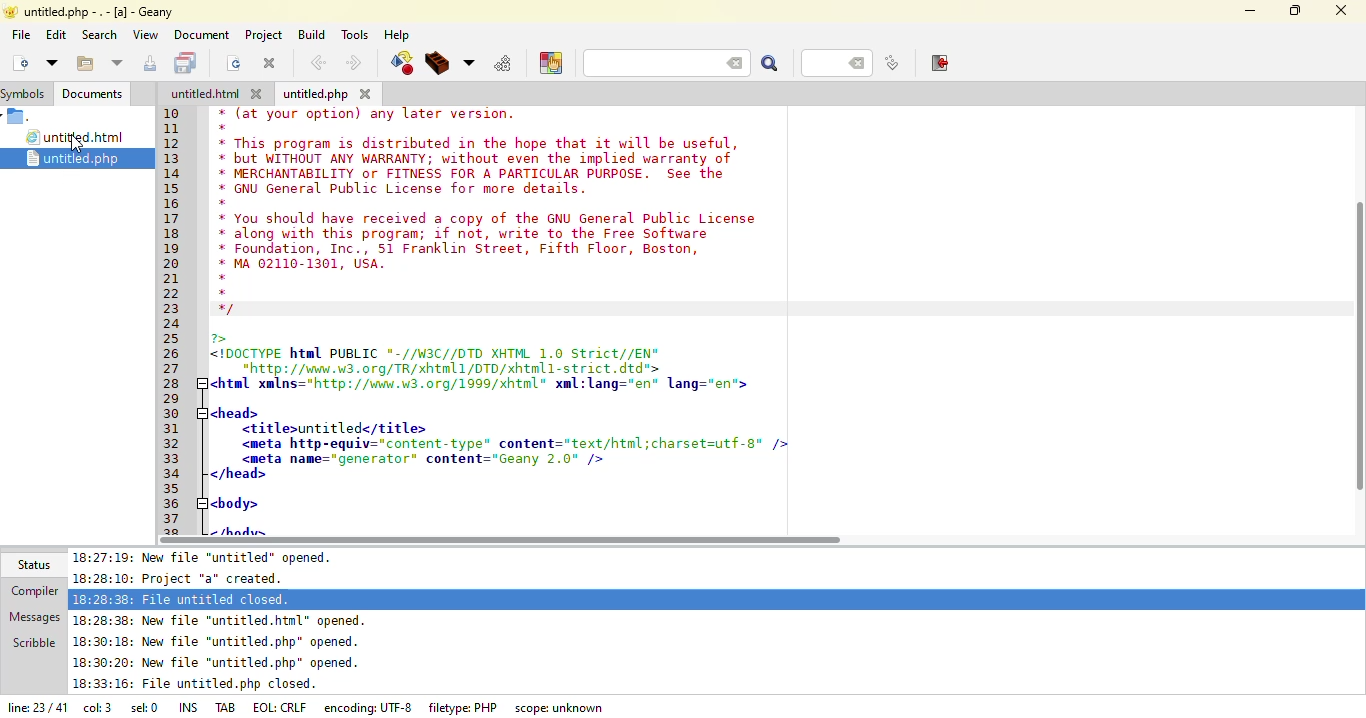  Describe the element at coordinates (164, 320) in the screenshot. I see `line number` at that location.